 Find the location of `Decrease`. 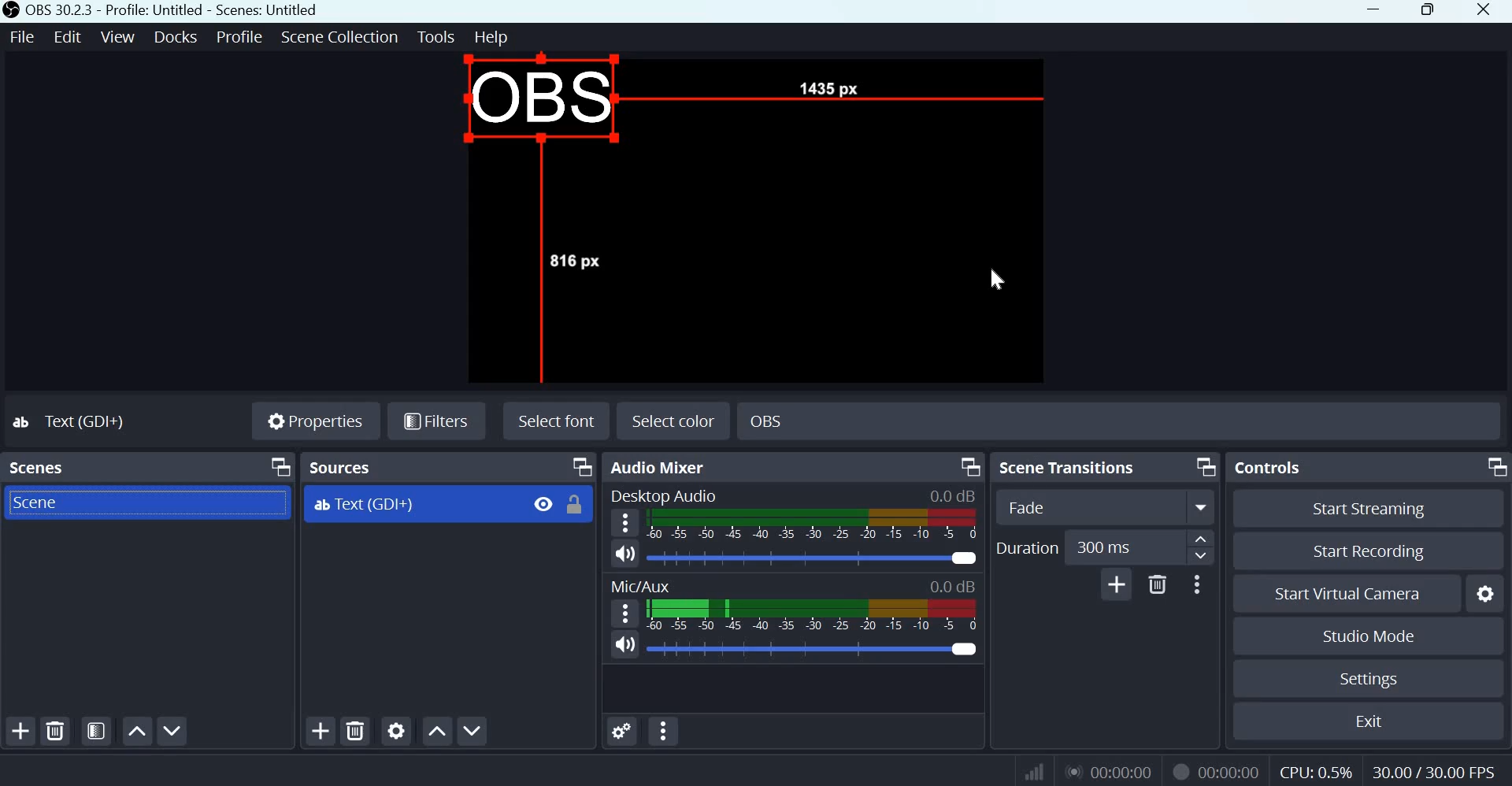

Decrease is located at coordinates (1202, 559).